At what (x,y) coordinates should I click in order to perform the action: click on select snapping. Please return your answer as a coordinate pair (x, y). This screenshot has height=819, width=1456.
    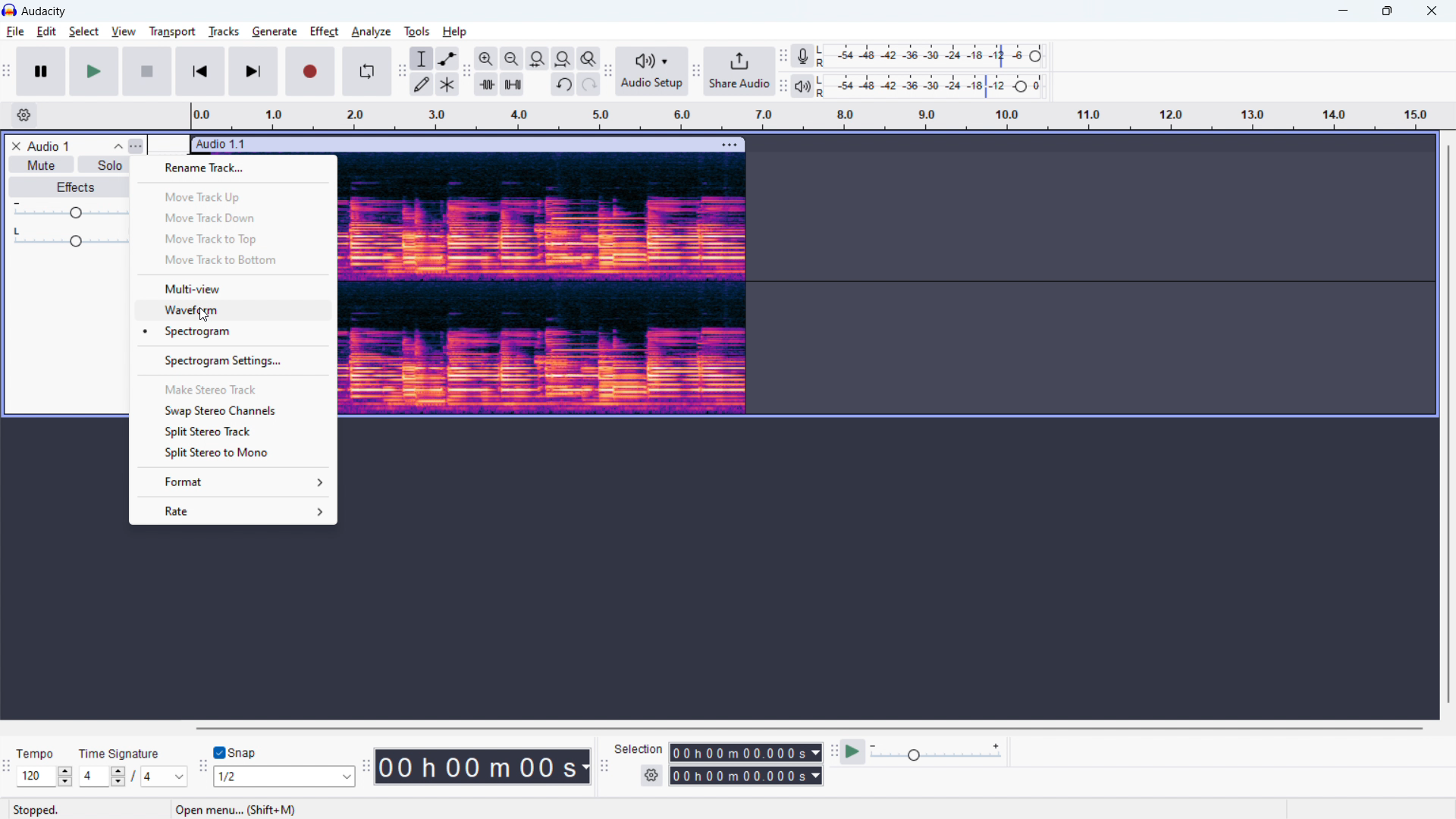
    Looking at the image, I should click on (284, 776).